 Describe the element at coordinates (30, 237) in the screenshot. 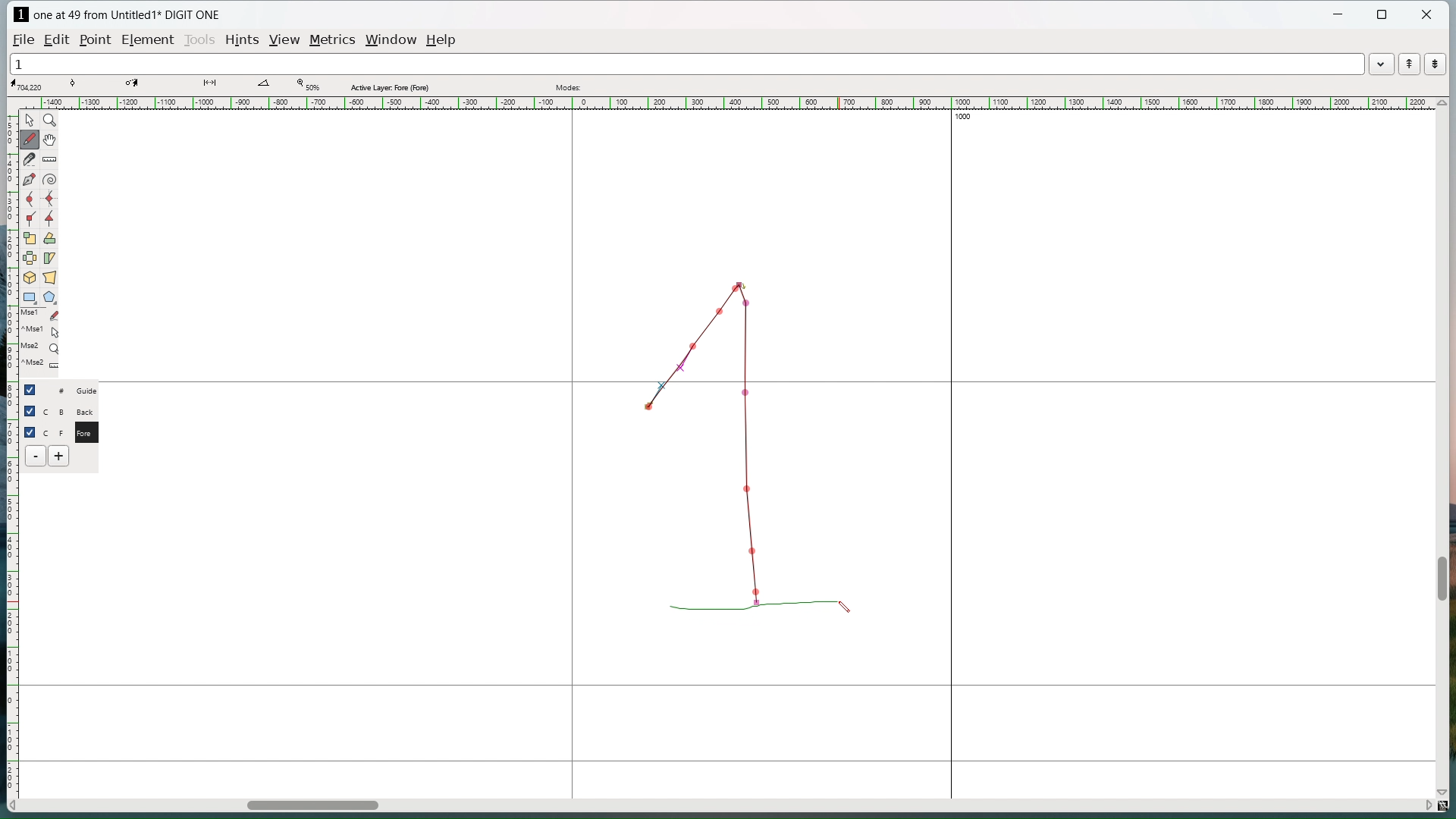

I see `scale` at that location.